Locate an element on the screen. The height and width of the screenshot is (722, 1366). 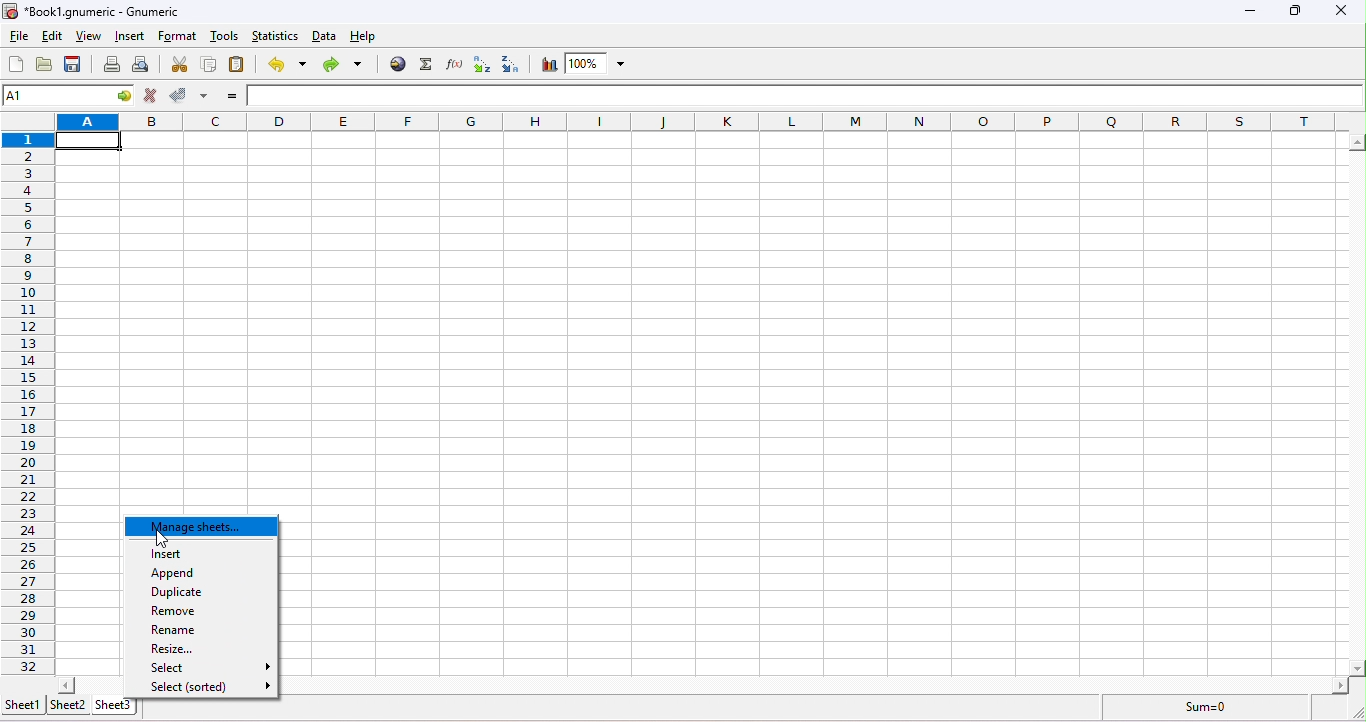
create a new workbook is located at coordinates (15, 64).